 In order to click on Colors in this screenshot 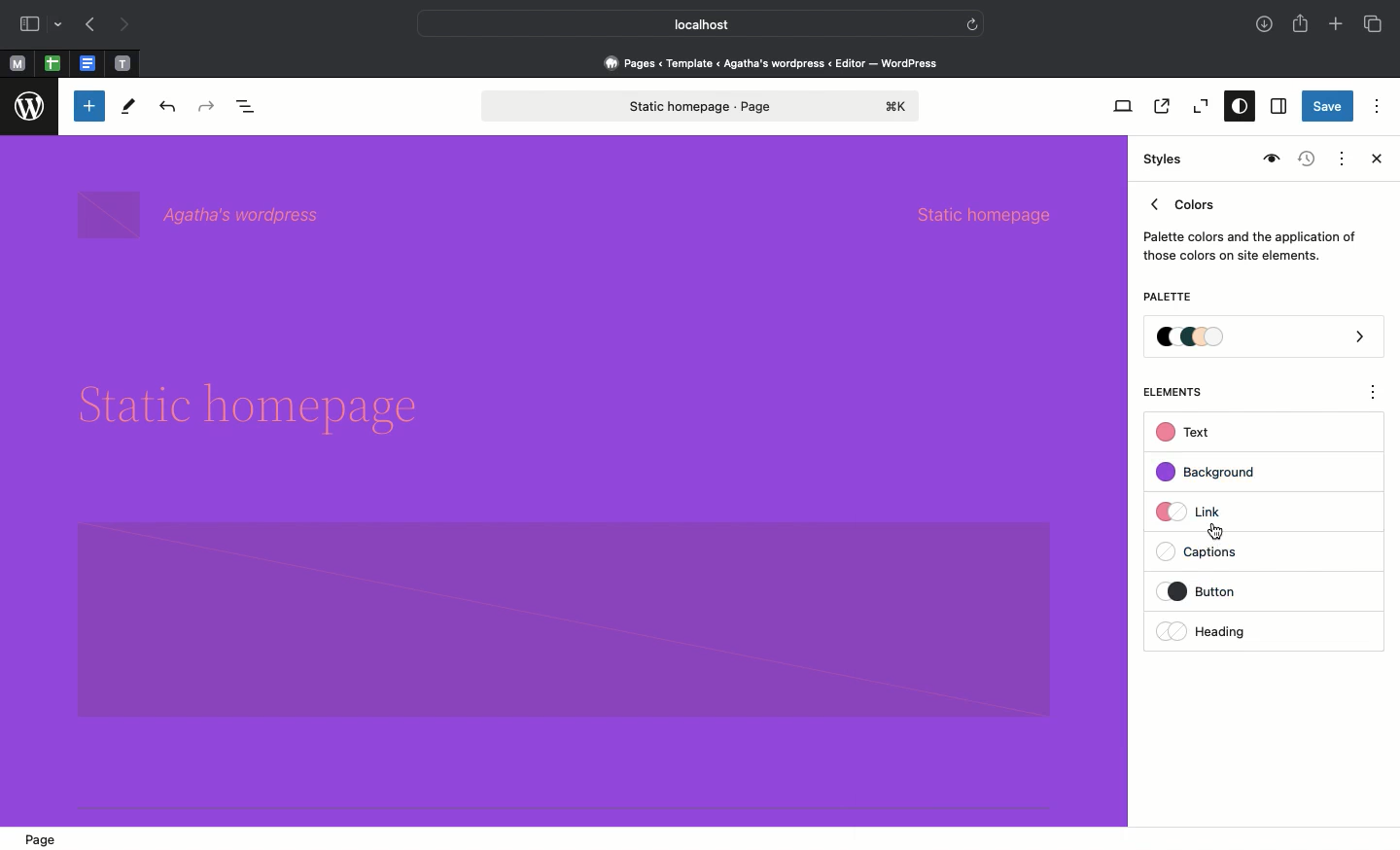, I will do `click(1250, 226)`.